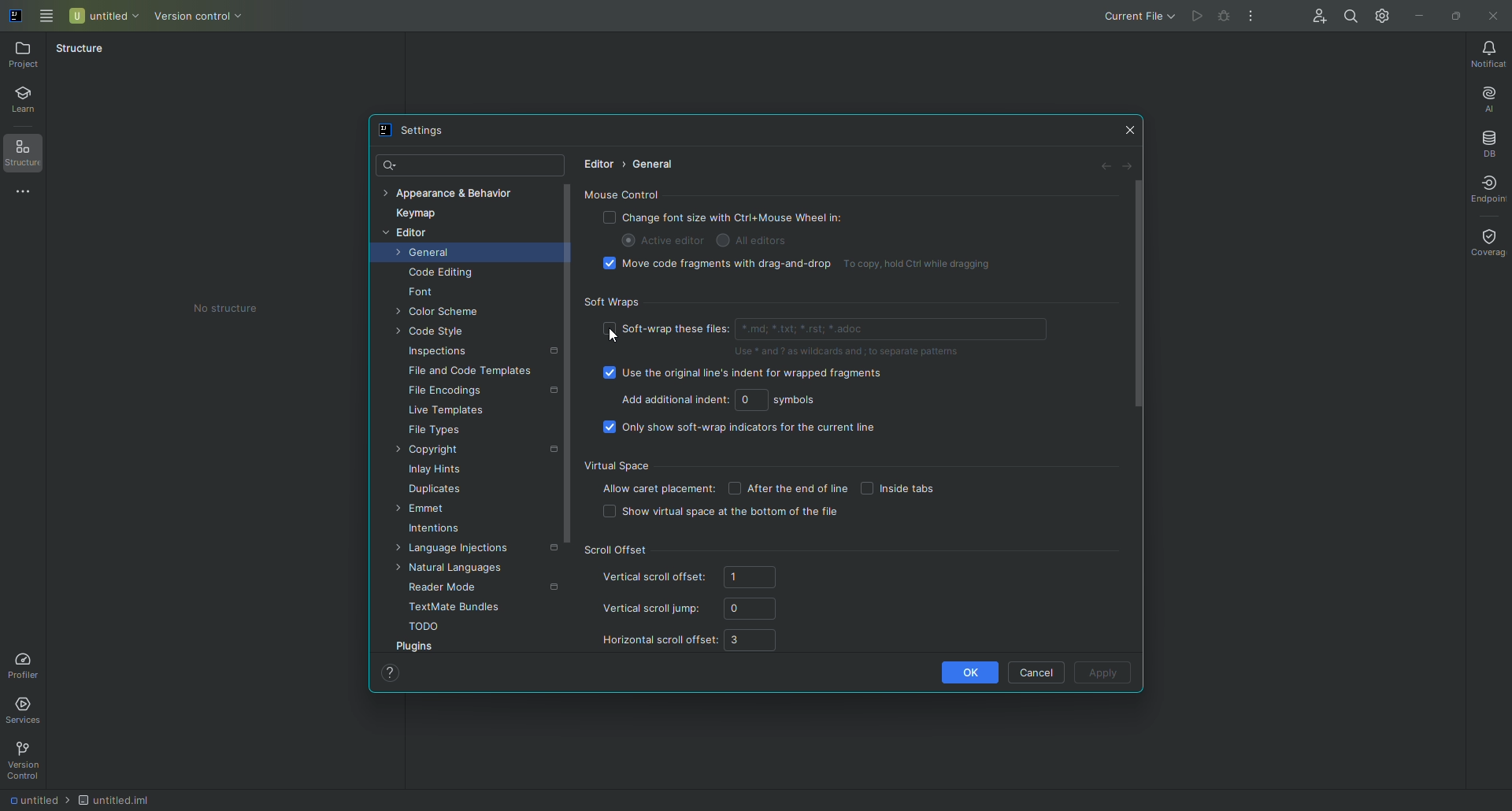  Describe the element at coordinates (1036, 165) in the screenshot. I see `Revert changes` at that location.